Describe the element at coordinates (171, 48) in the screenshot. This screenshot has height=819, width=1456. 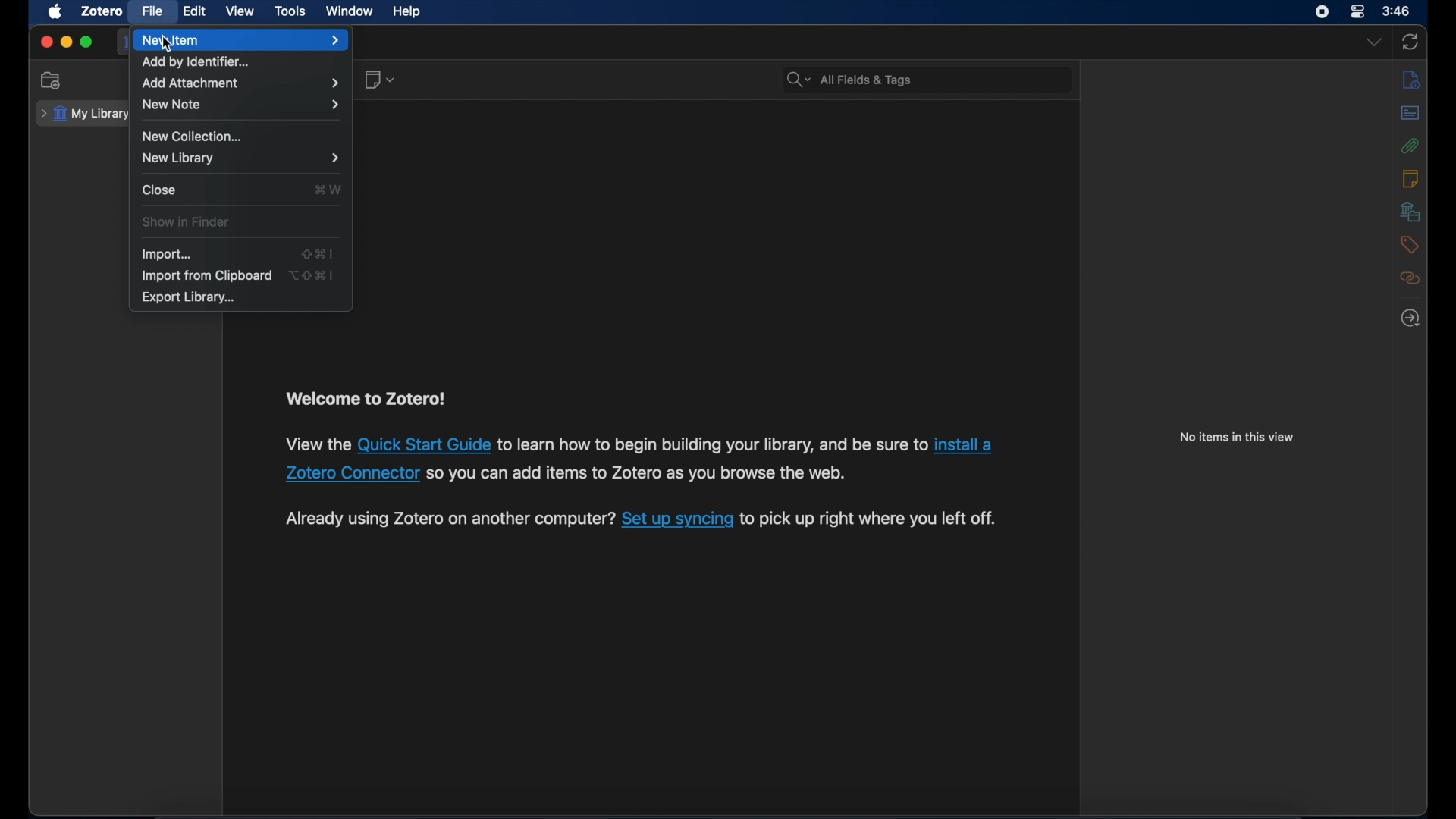
I see `Cursor` at that location.